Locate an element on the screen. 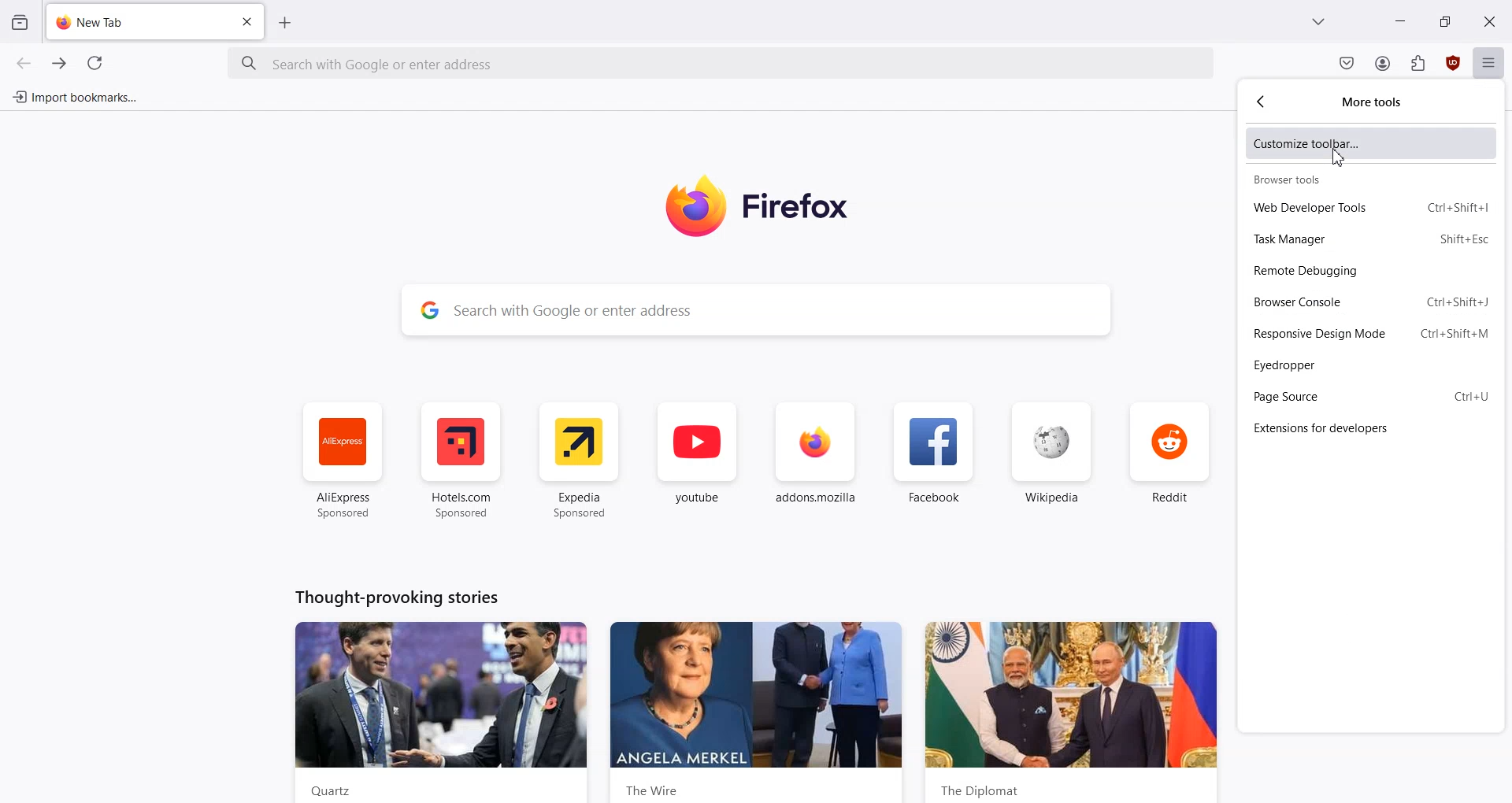  New Tab is located at coordinates (135, 22).